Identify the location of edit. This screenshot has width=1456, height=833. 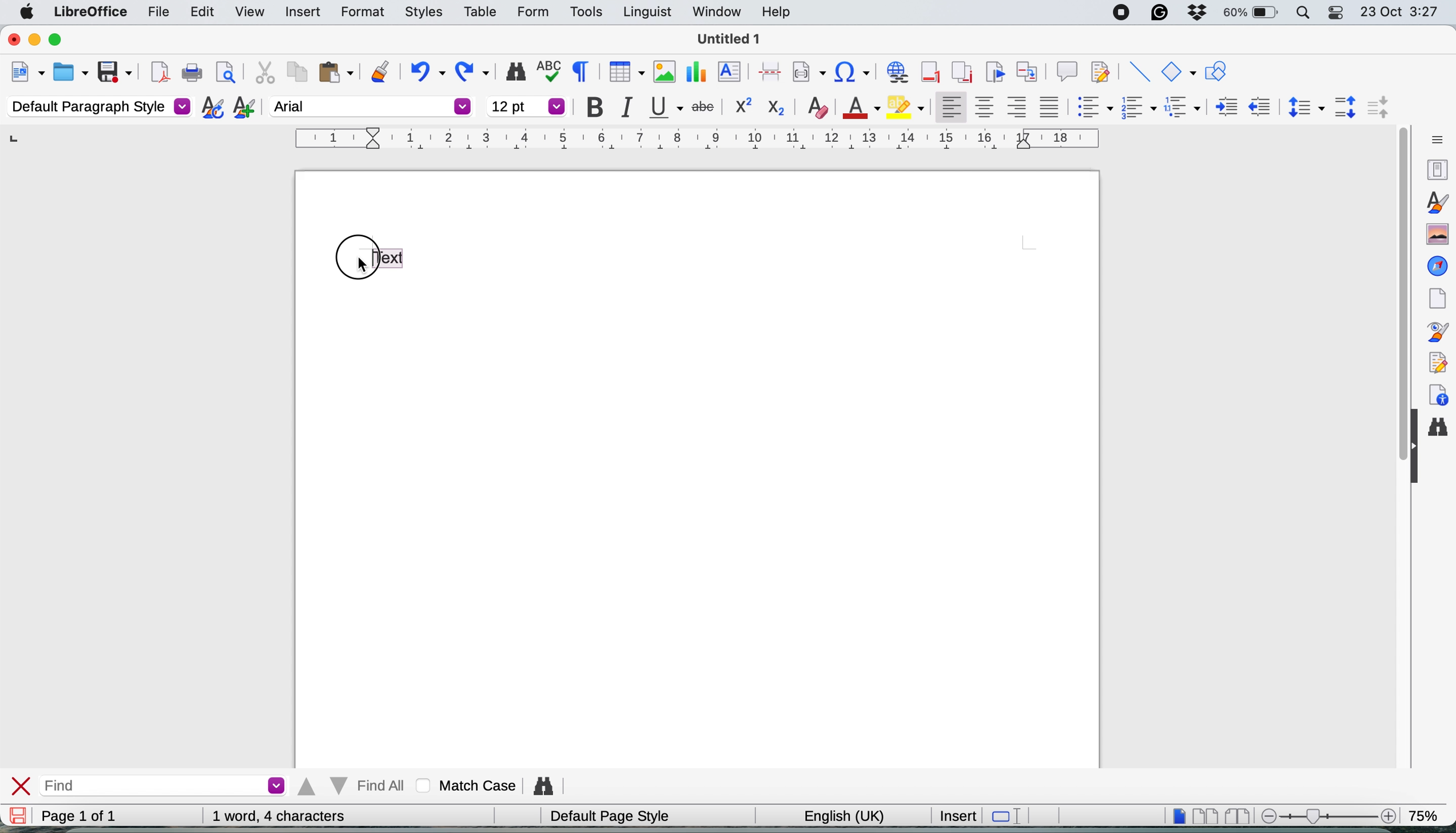
(202, 12).